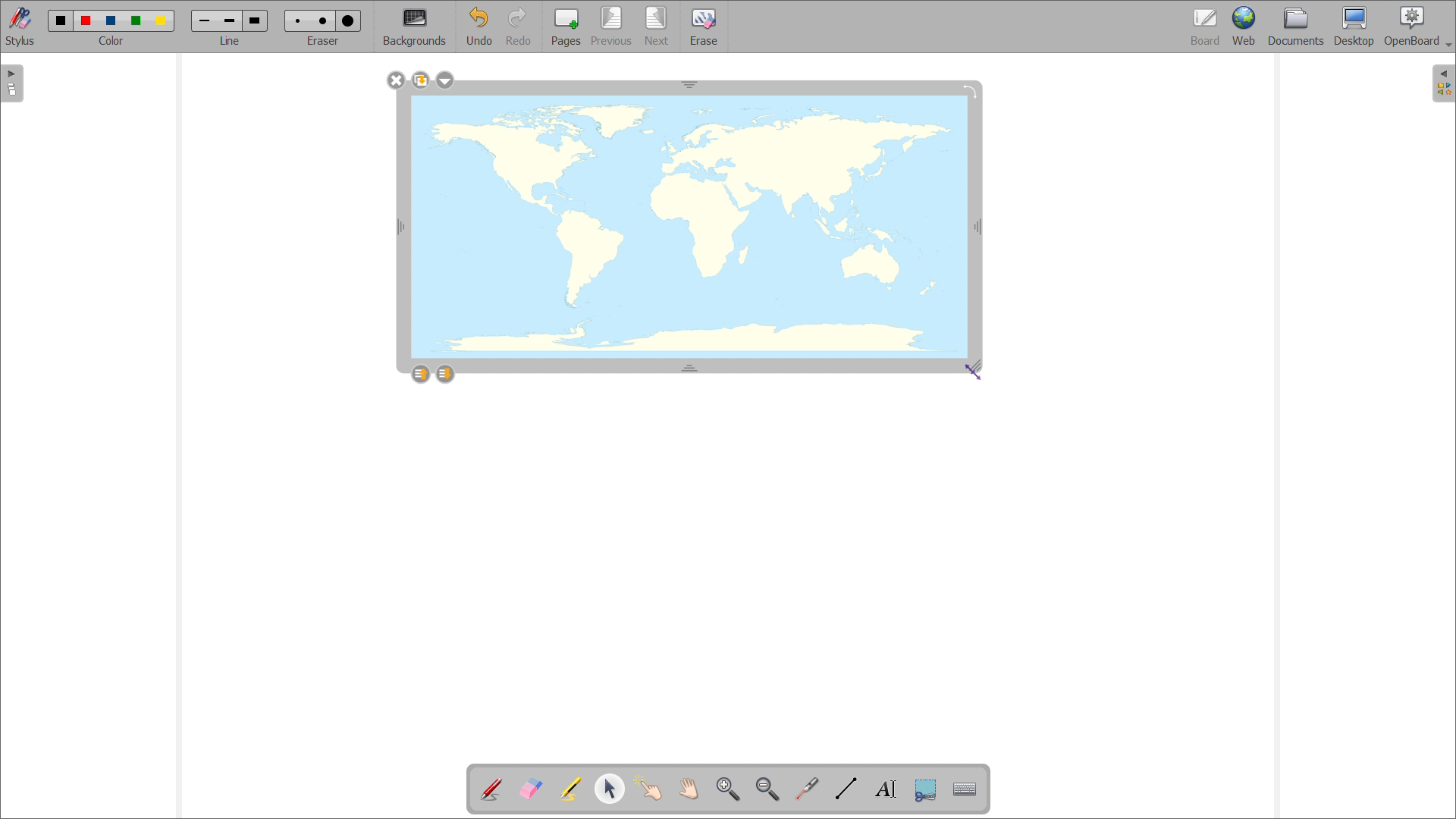  I want to click on board, so click(1205, 27).